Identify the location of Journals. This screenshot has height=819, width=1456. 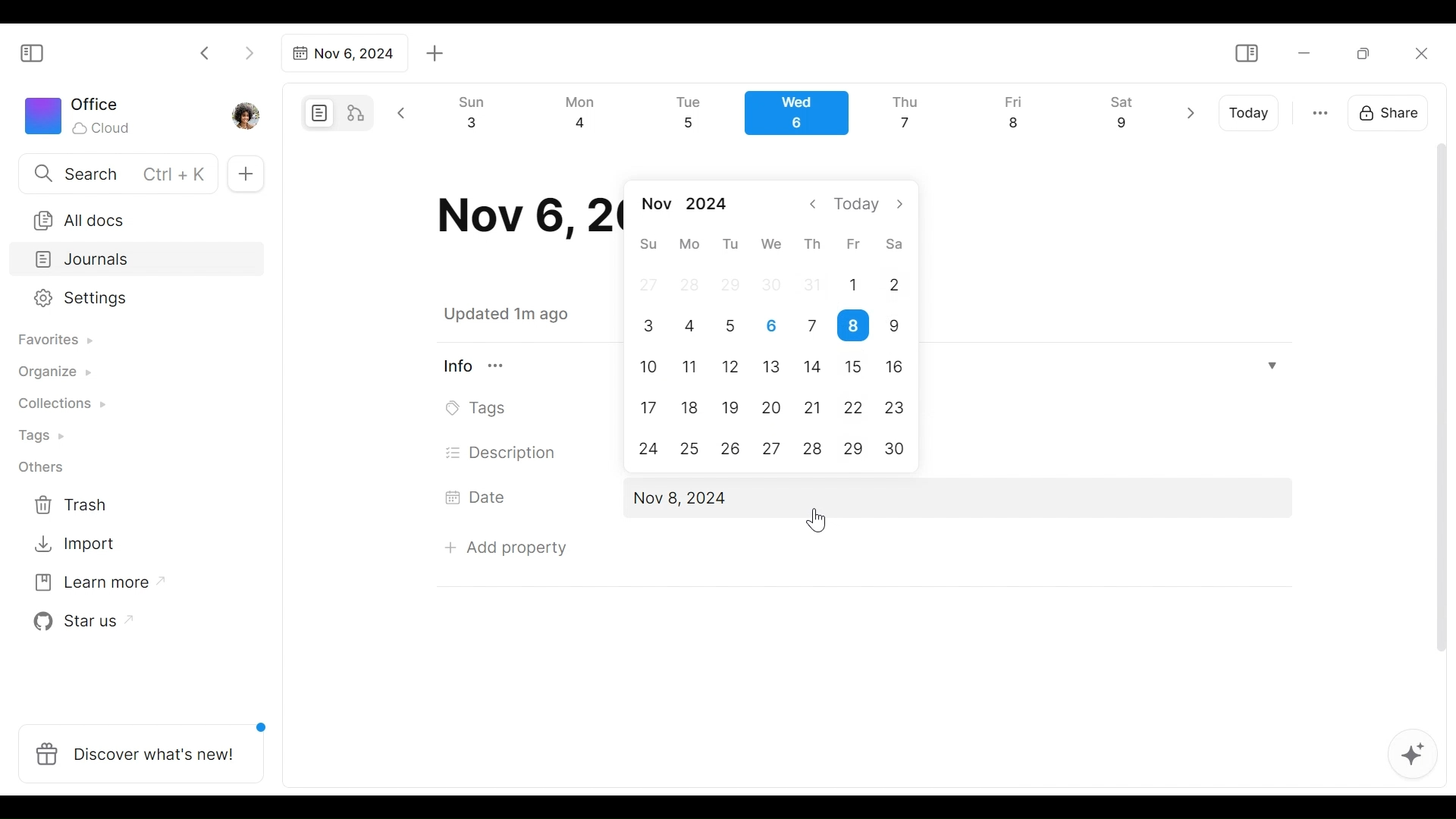
(138, 261).